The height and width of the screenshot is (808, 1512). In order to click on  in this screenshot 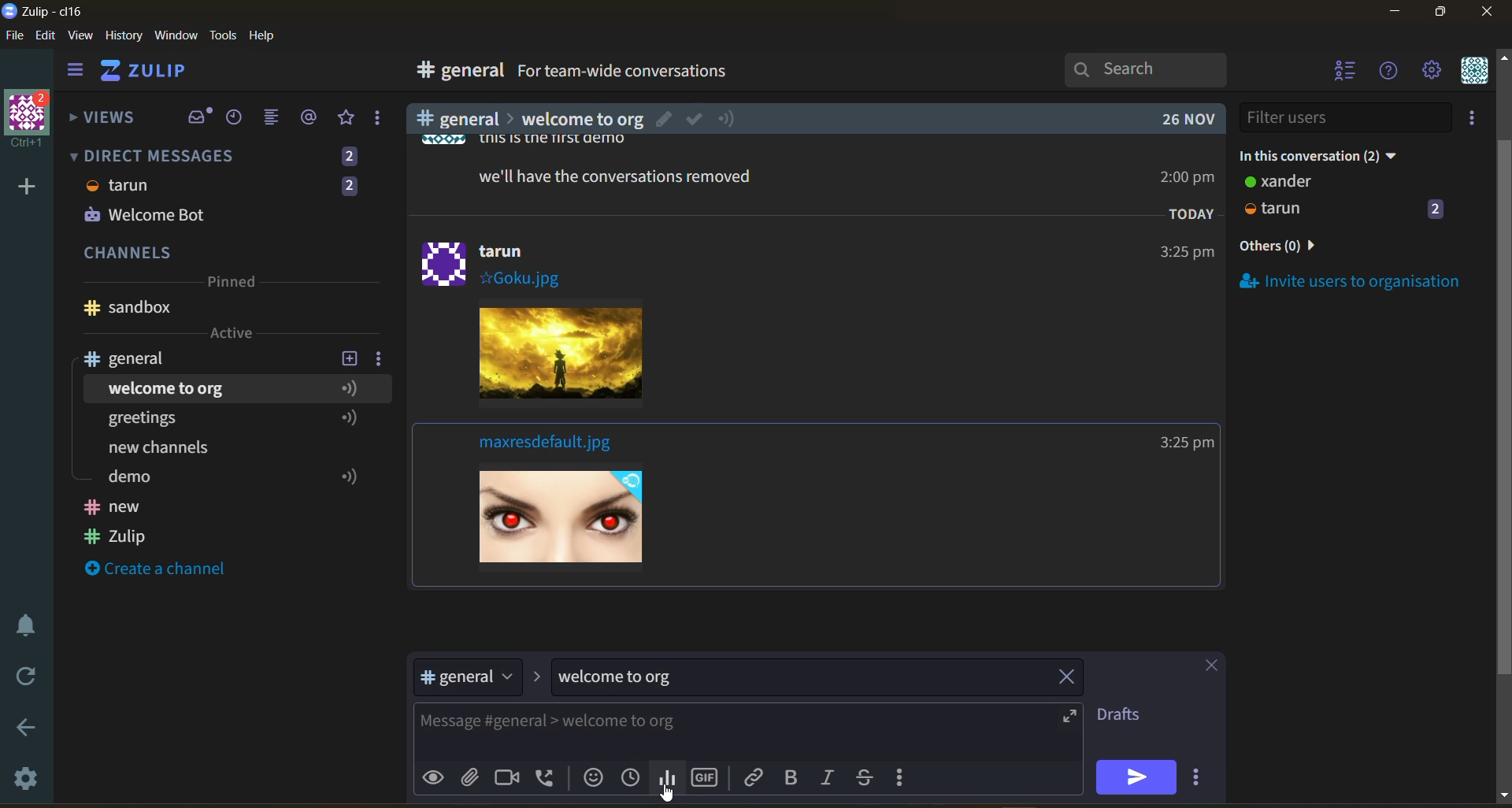, I will do `click(667, 795)`.